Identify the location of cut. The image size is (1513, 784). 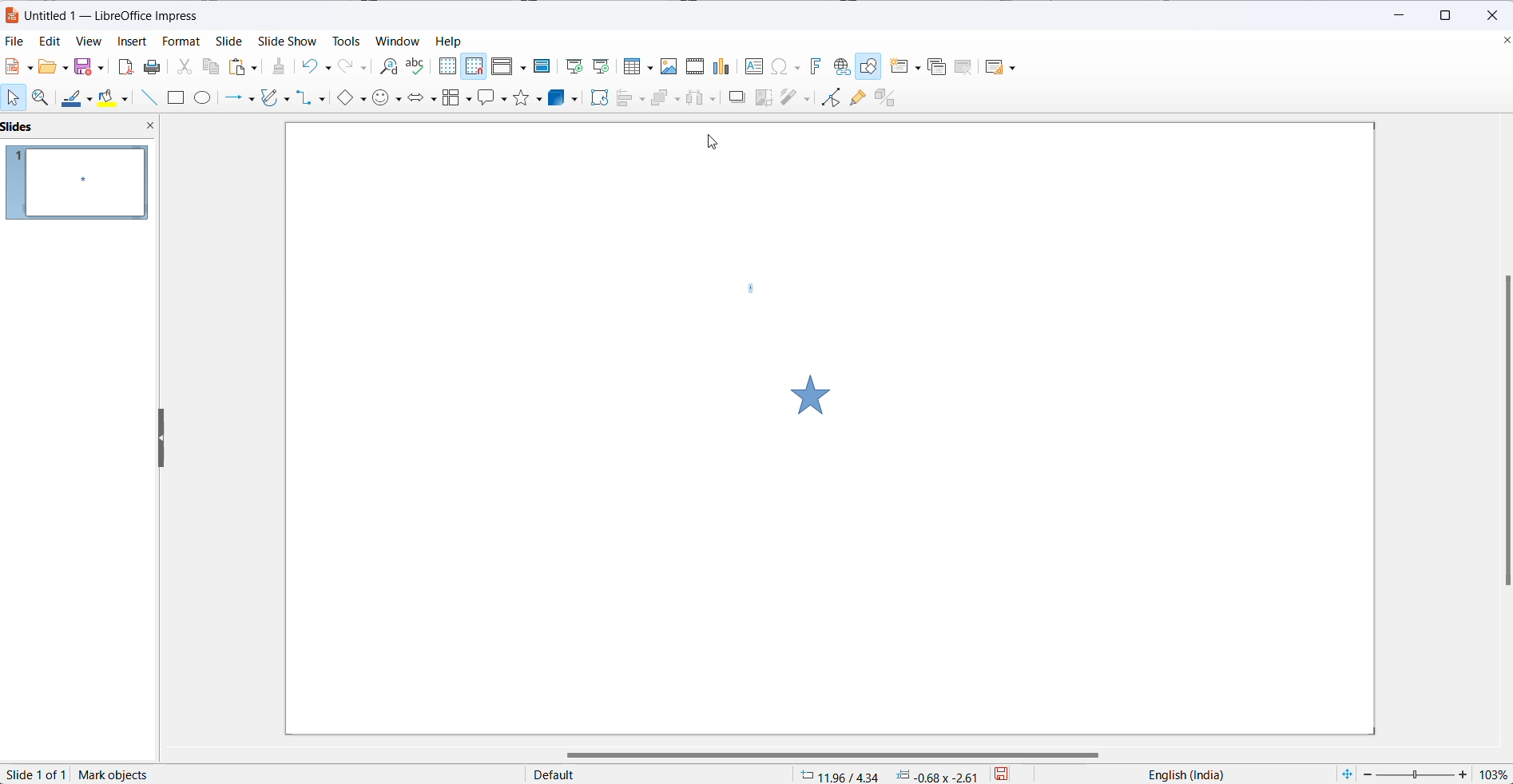
(184, 65).